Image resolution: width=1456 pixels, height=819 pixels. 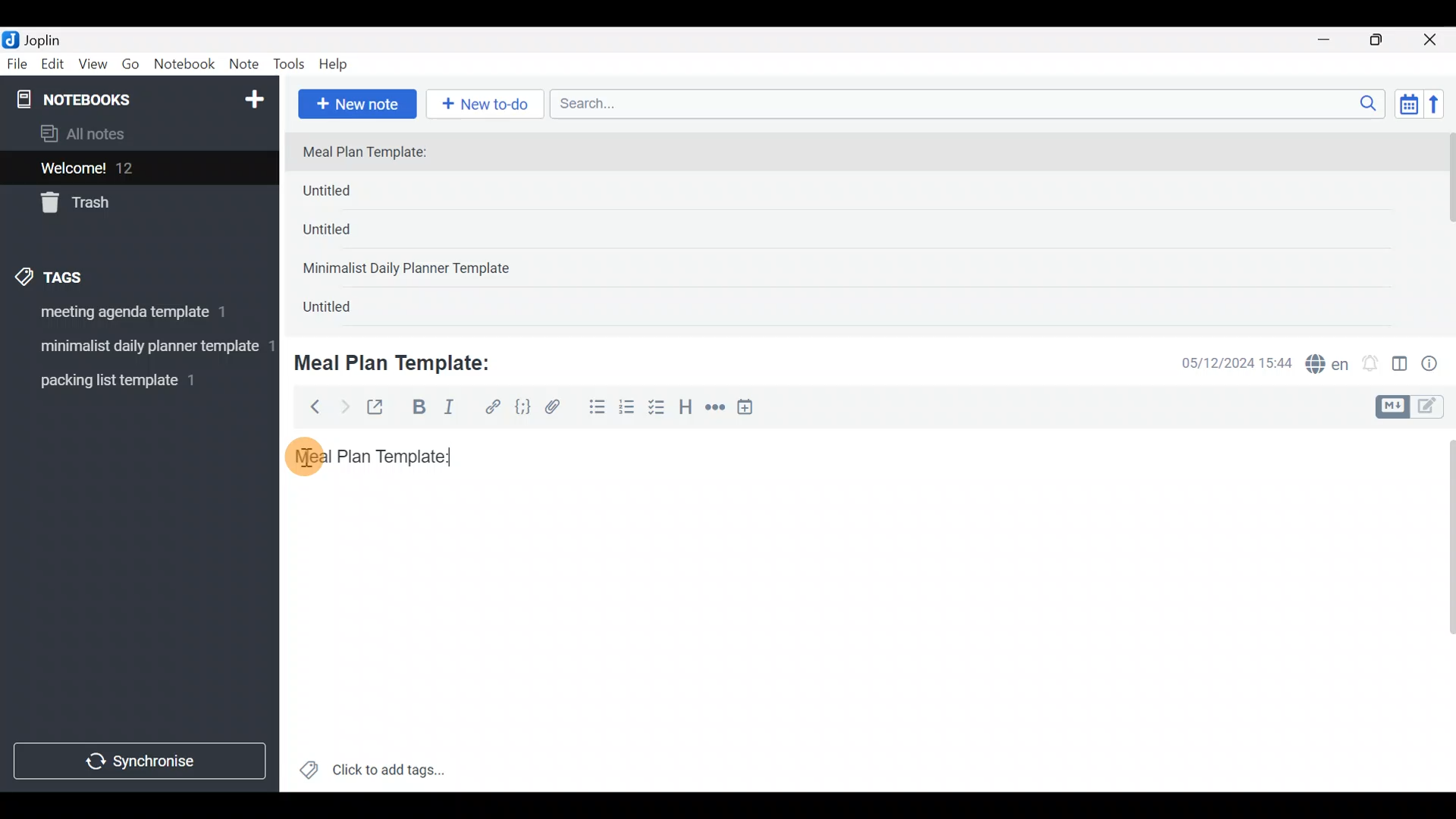 What do you see at coordinates (347, 234) in the screenshot?
I see `Untitled` at bounding box center [347, 234].